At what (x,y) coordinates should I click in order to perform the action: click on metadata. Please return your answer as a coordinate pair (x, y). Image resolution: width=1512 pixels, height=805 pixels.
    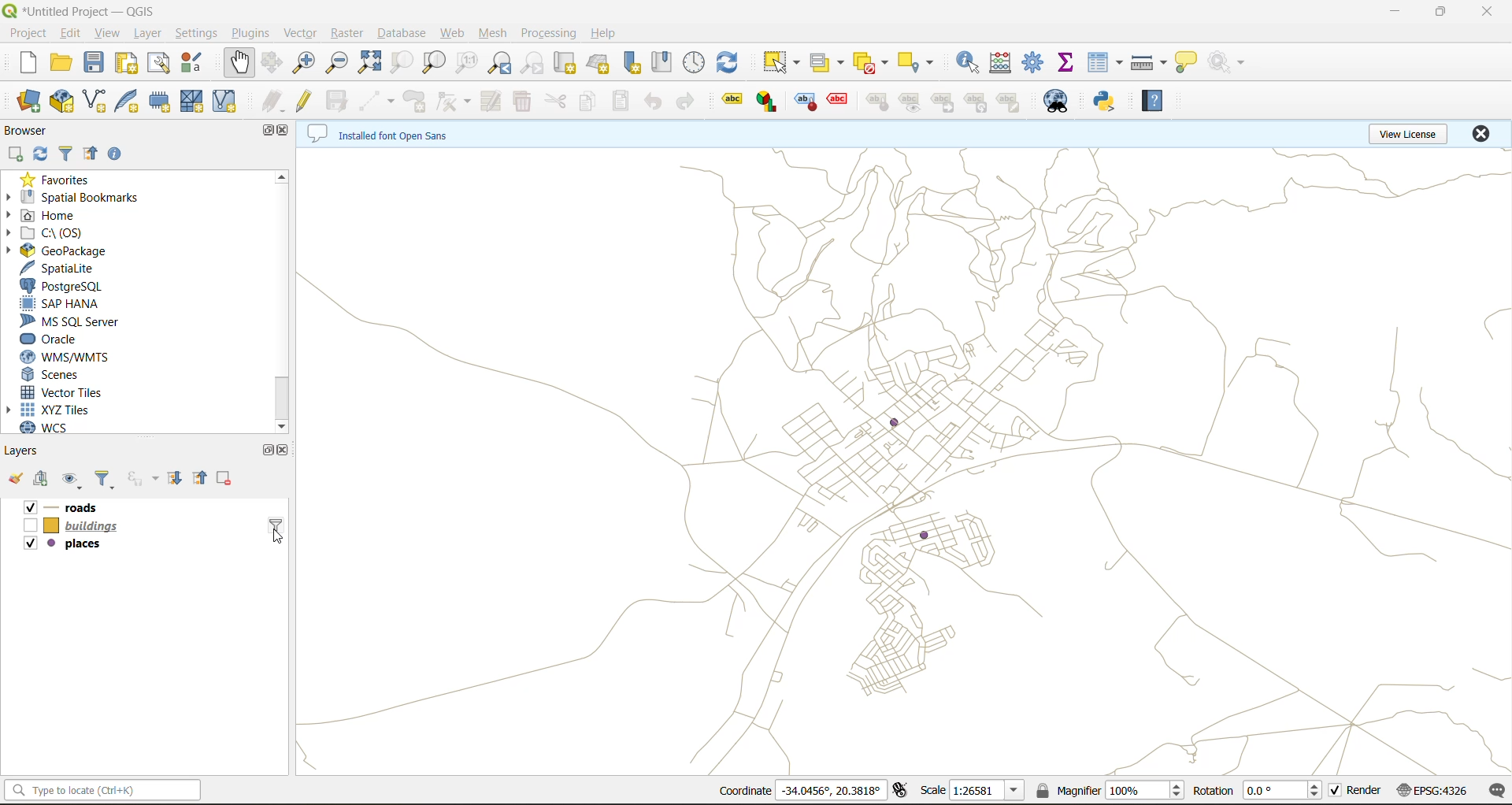
    Looking at the image, I should click on (387, 134).